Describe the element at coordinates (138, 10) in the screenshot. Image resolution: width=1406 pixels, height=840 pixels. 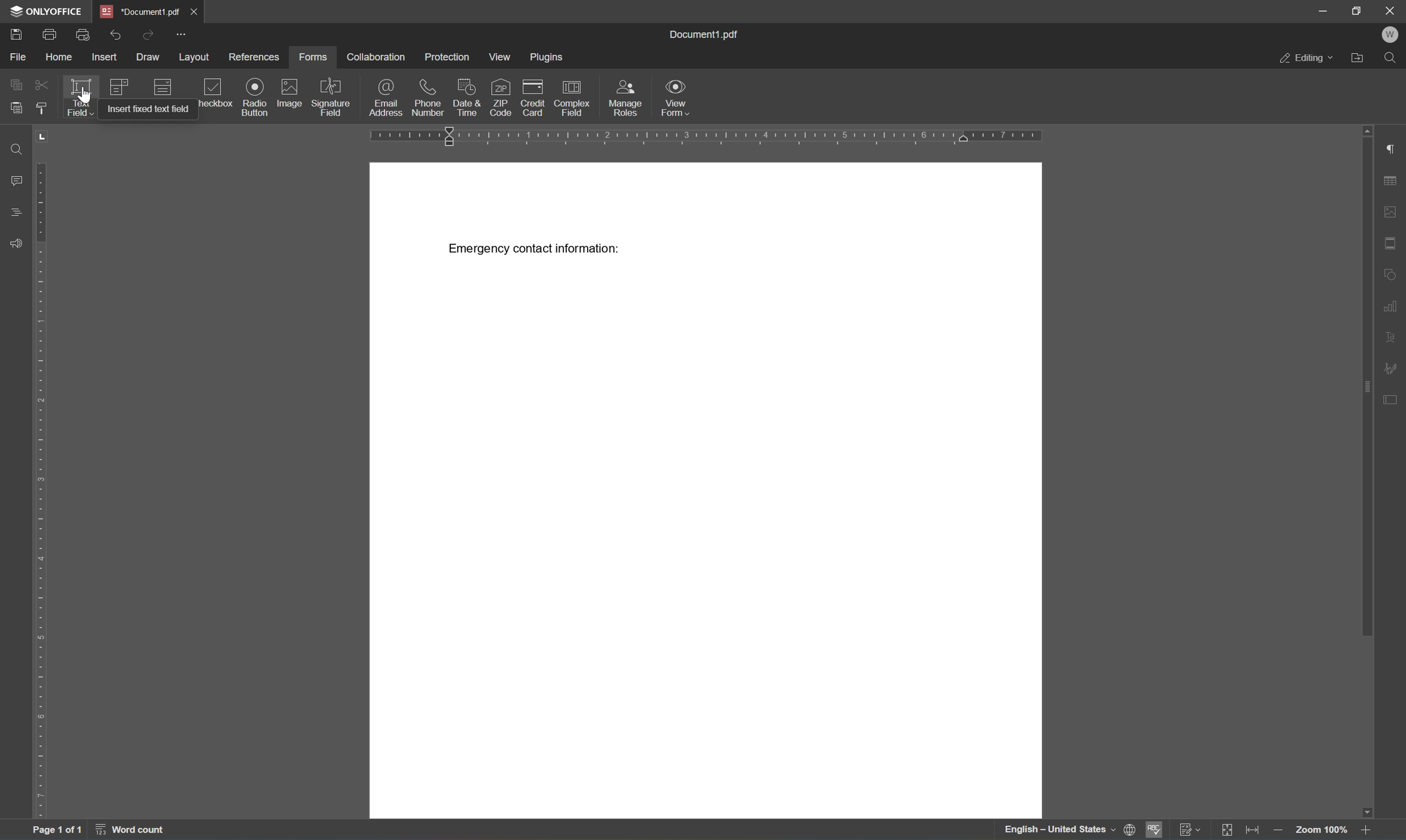
I see `*document1.pdf` at that location.